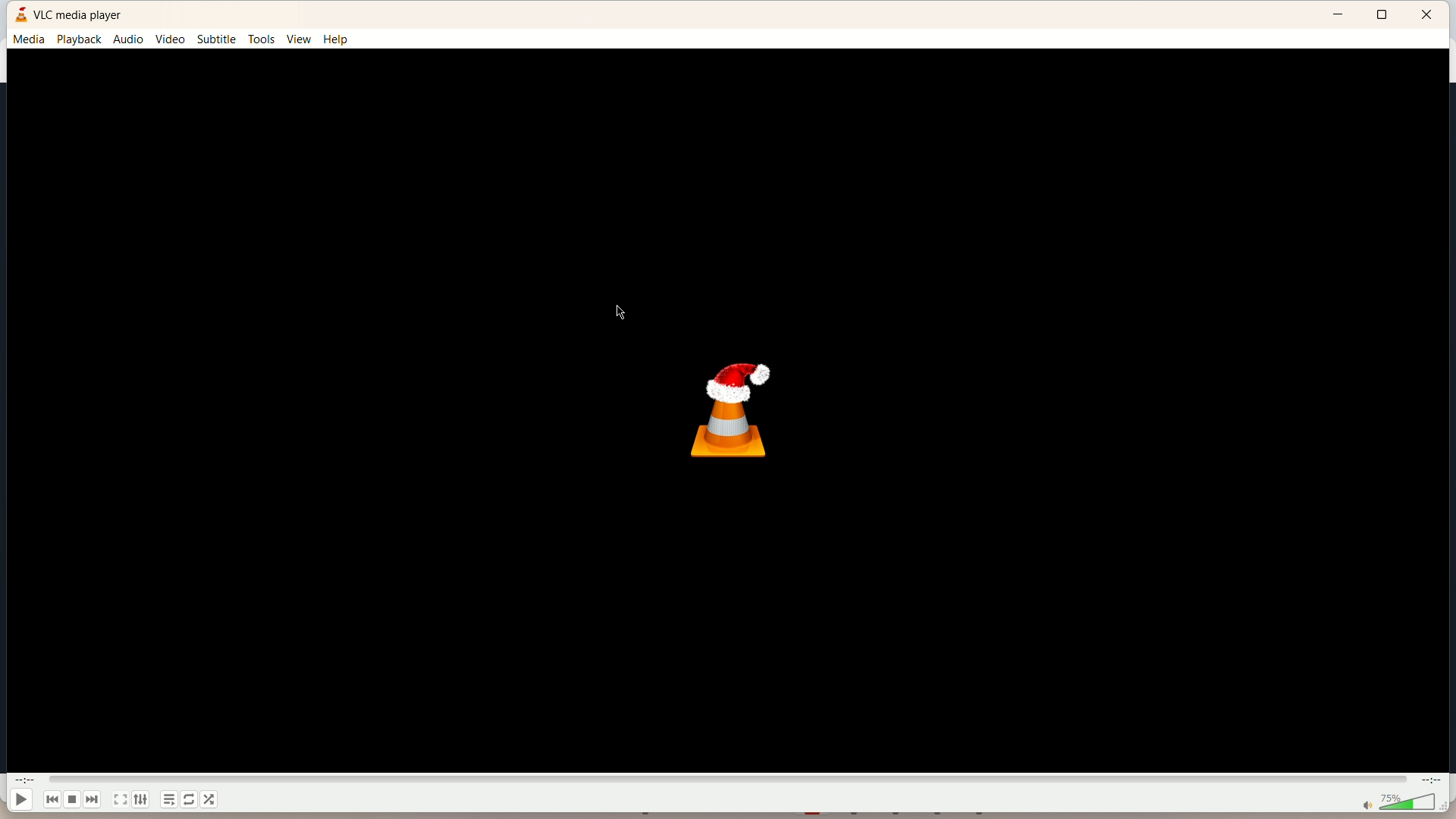  What do you see at coordinates (169, 798) in the screenshot?
I see `playlist` at bounding box center [169, 798].